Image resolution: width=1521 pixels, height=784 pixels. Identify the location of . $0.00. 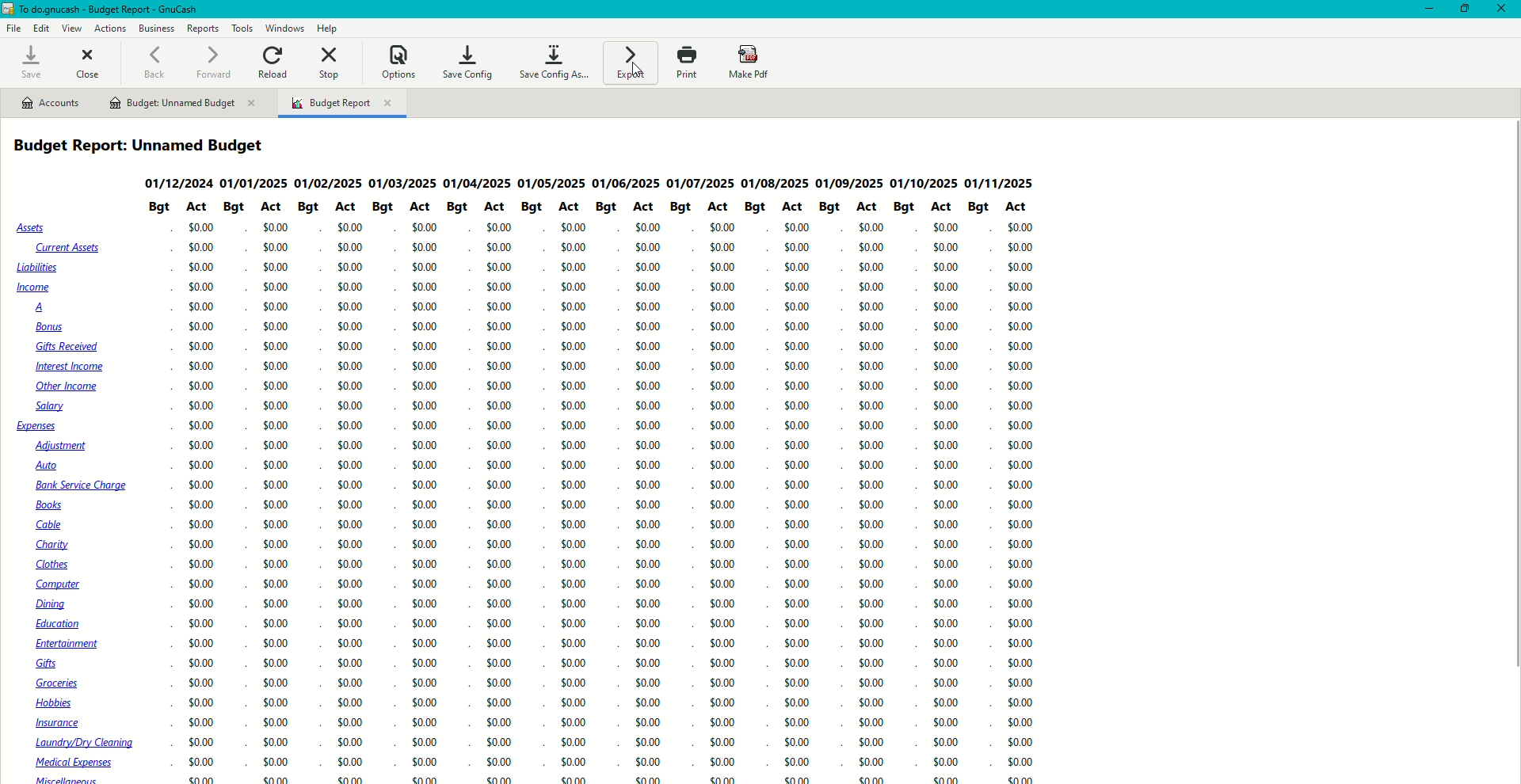
(419, 683).